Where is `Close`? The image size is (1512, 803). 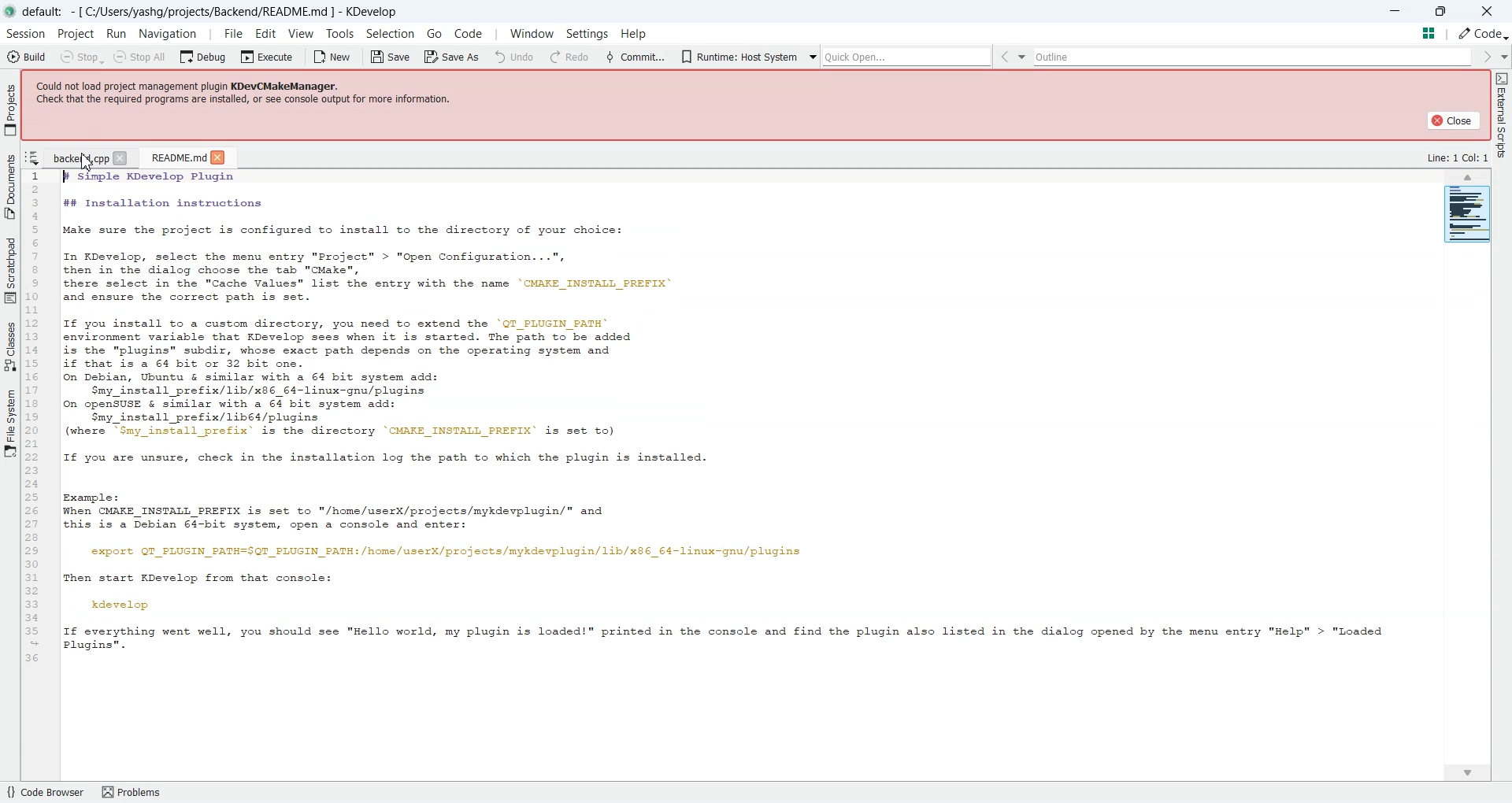 Close is located at coordinates (218, 157).